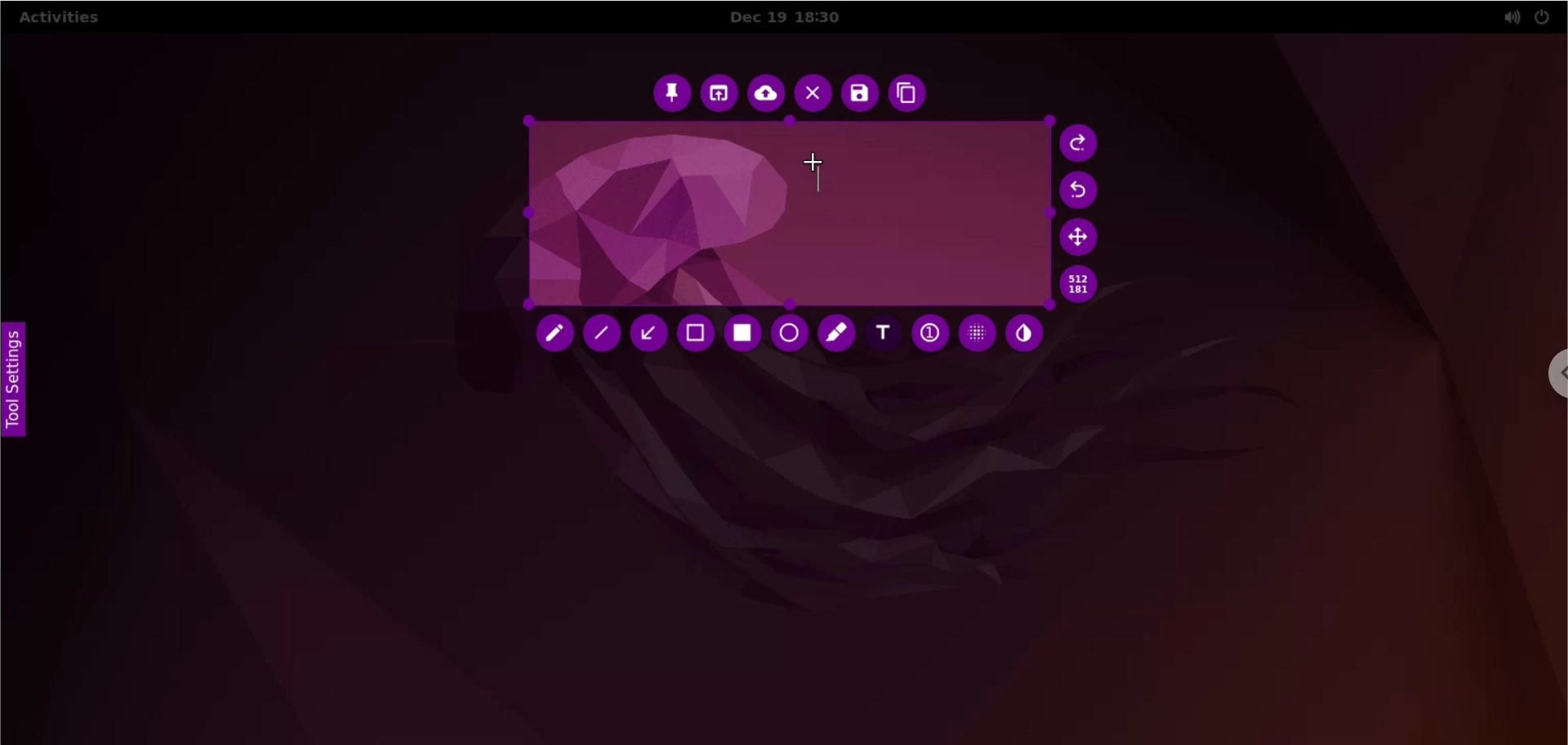 This screenshot has width=1568, height=745. I want to click on close capture, so click(813, 94).